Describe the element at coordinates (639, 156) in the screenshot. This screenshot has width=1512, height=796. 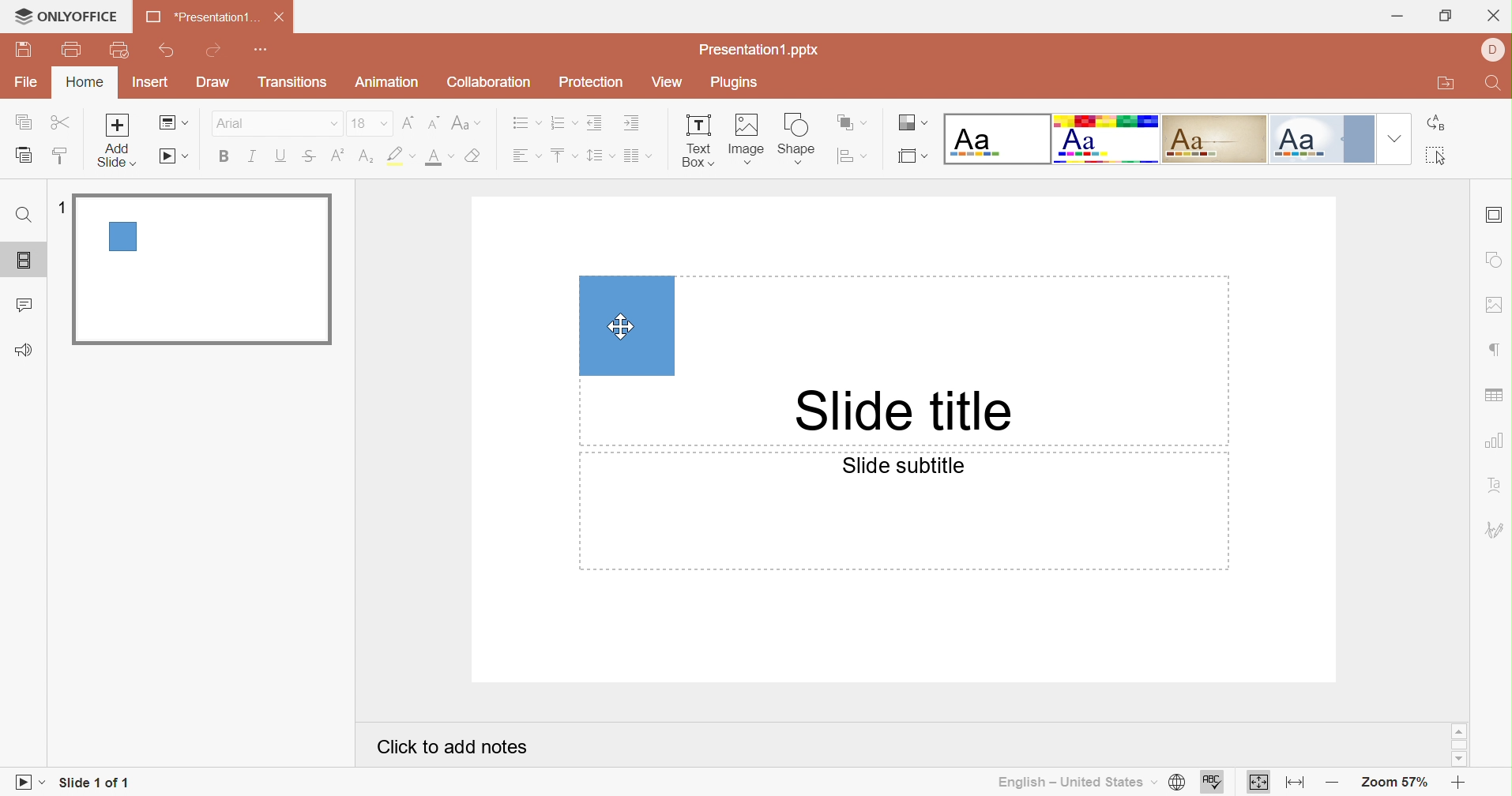
I see `Insert columns` at that location.